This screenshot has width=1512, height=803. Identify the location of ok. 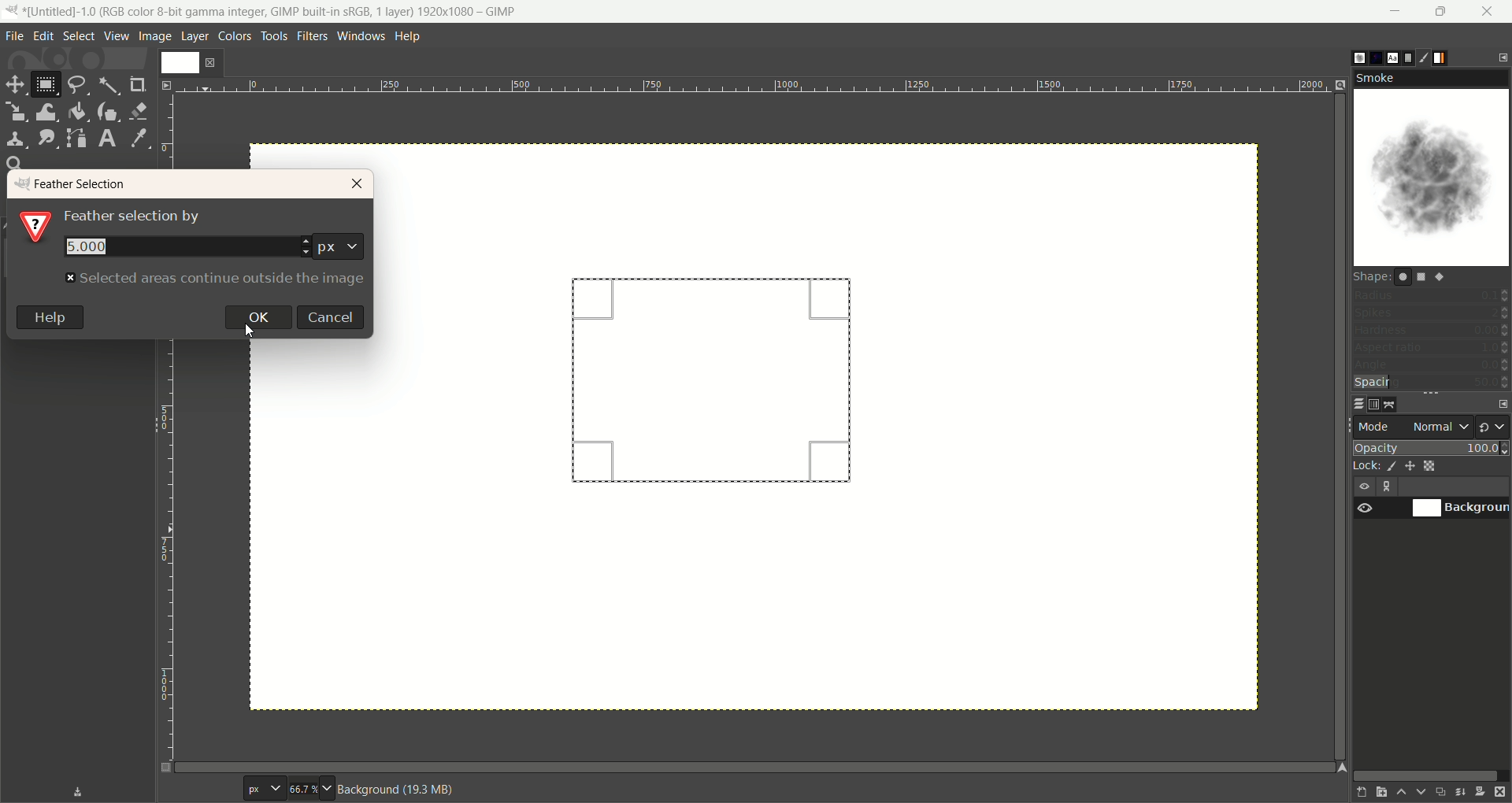
(258, 317).